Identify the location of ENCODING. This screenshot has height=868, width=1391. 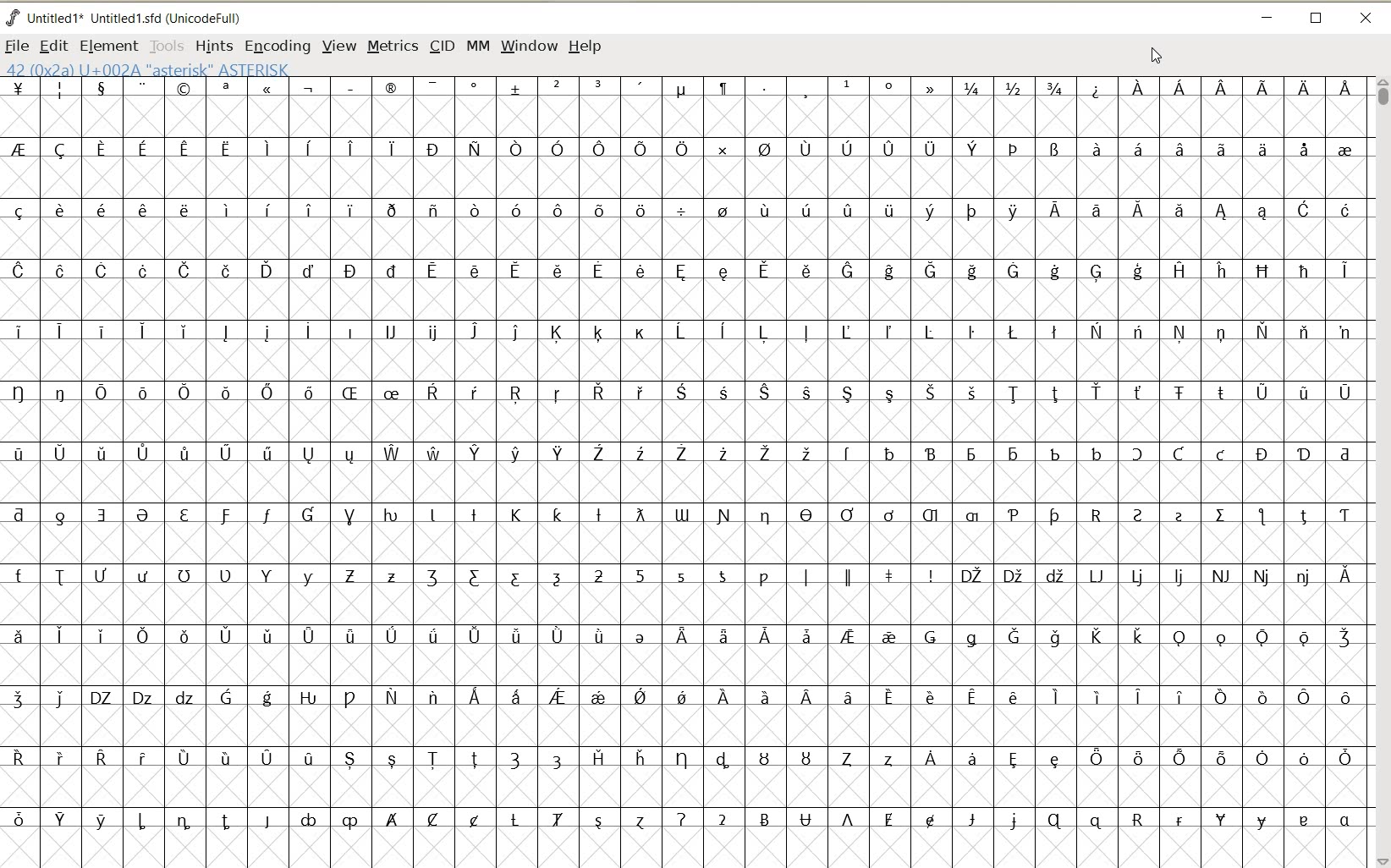
(277, 47).